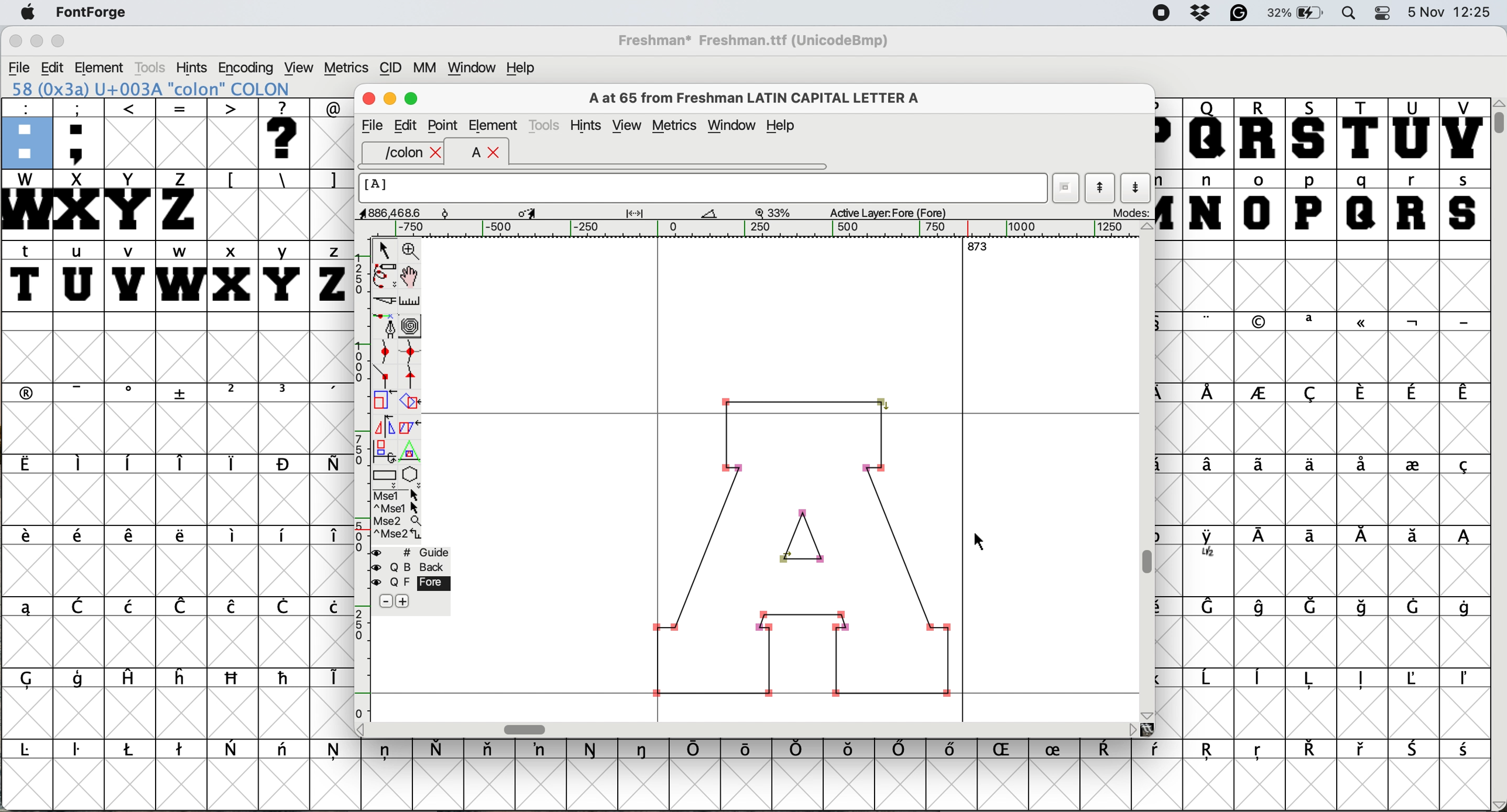  What do you see at coordinates (234, 536) in the screenshot?
I see `symbolo` at bounding box center [234, 536].